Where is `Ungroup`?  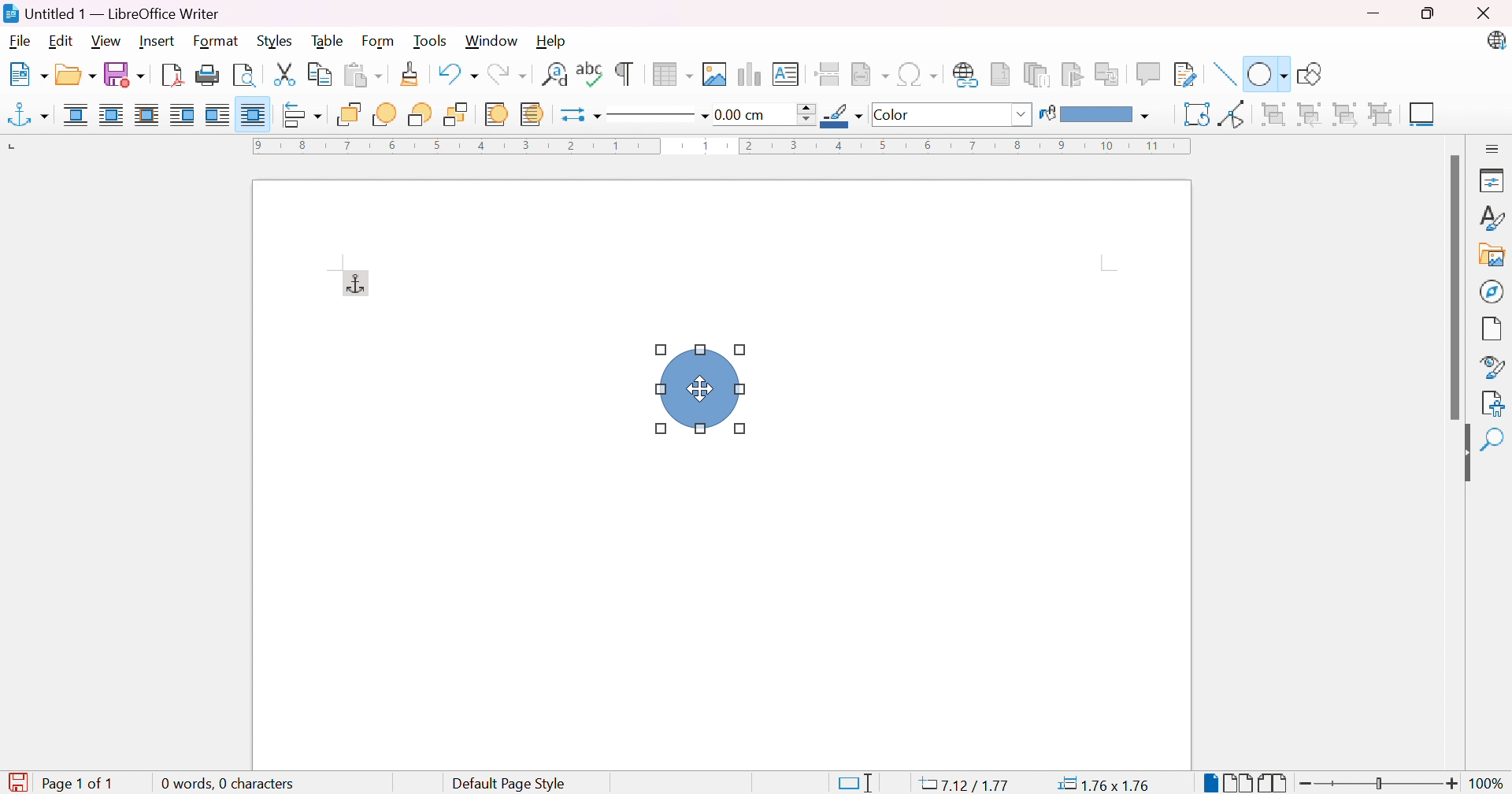
Ungroup is located at coordinates (1382, 115).